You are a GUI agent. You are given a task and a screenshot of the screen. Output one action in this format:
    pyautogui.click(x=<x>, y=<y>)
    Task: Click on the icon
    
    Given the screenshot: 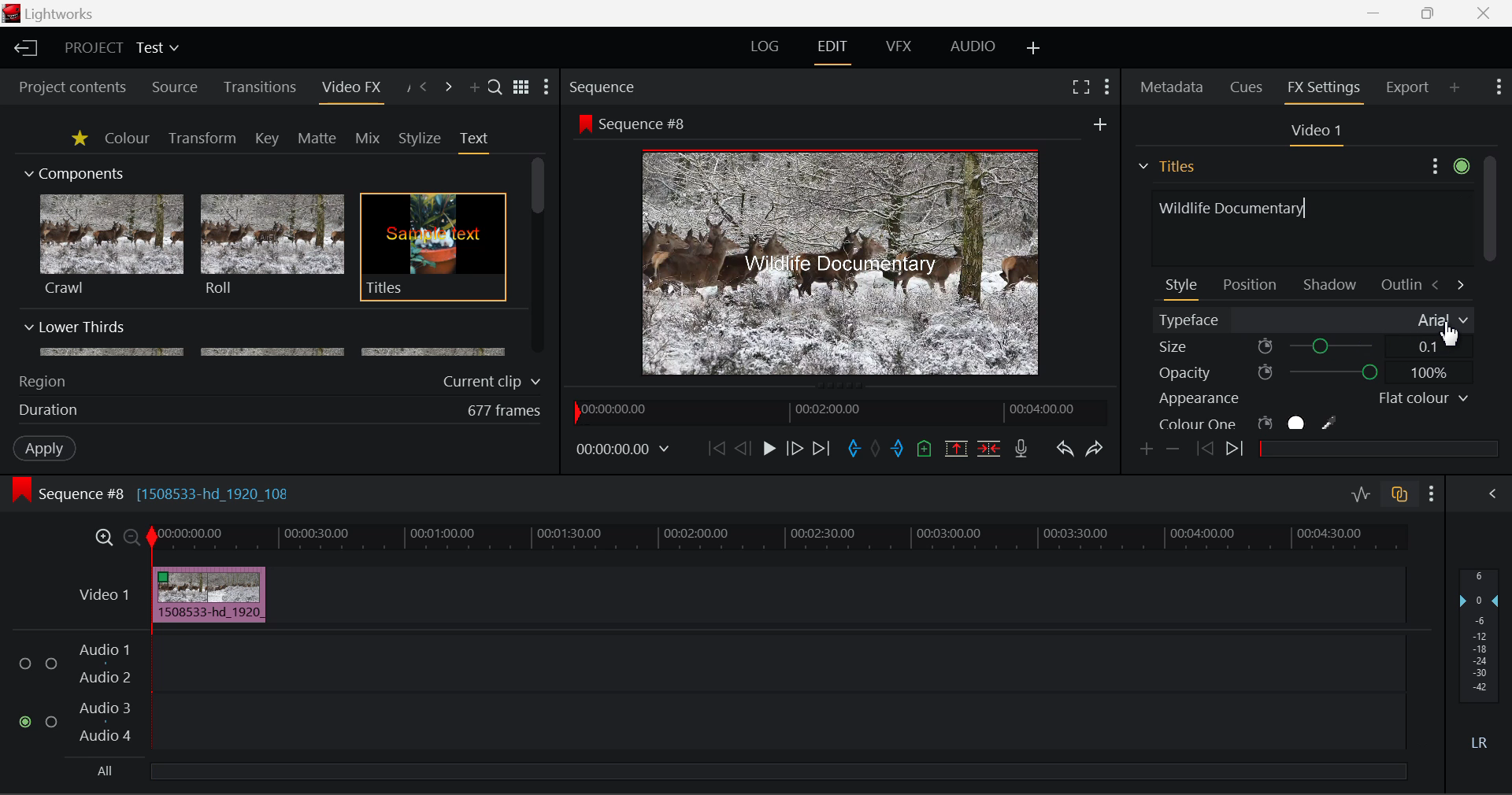 What is the action you would take?
    pyautogui.click(x=584, y=123)
    